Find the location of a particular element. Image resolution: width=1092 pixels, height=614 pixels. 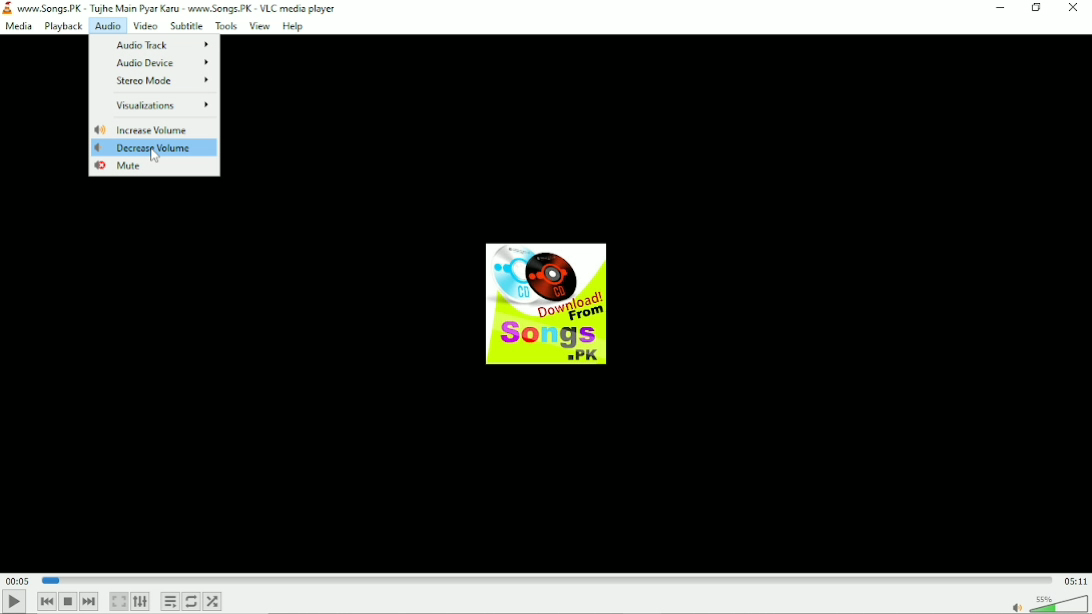

cursor is located at coordinates (156, 154).